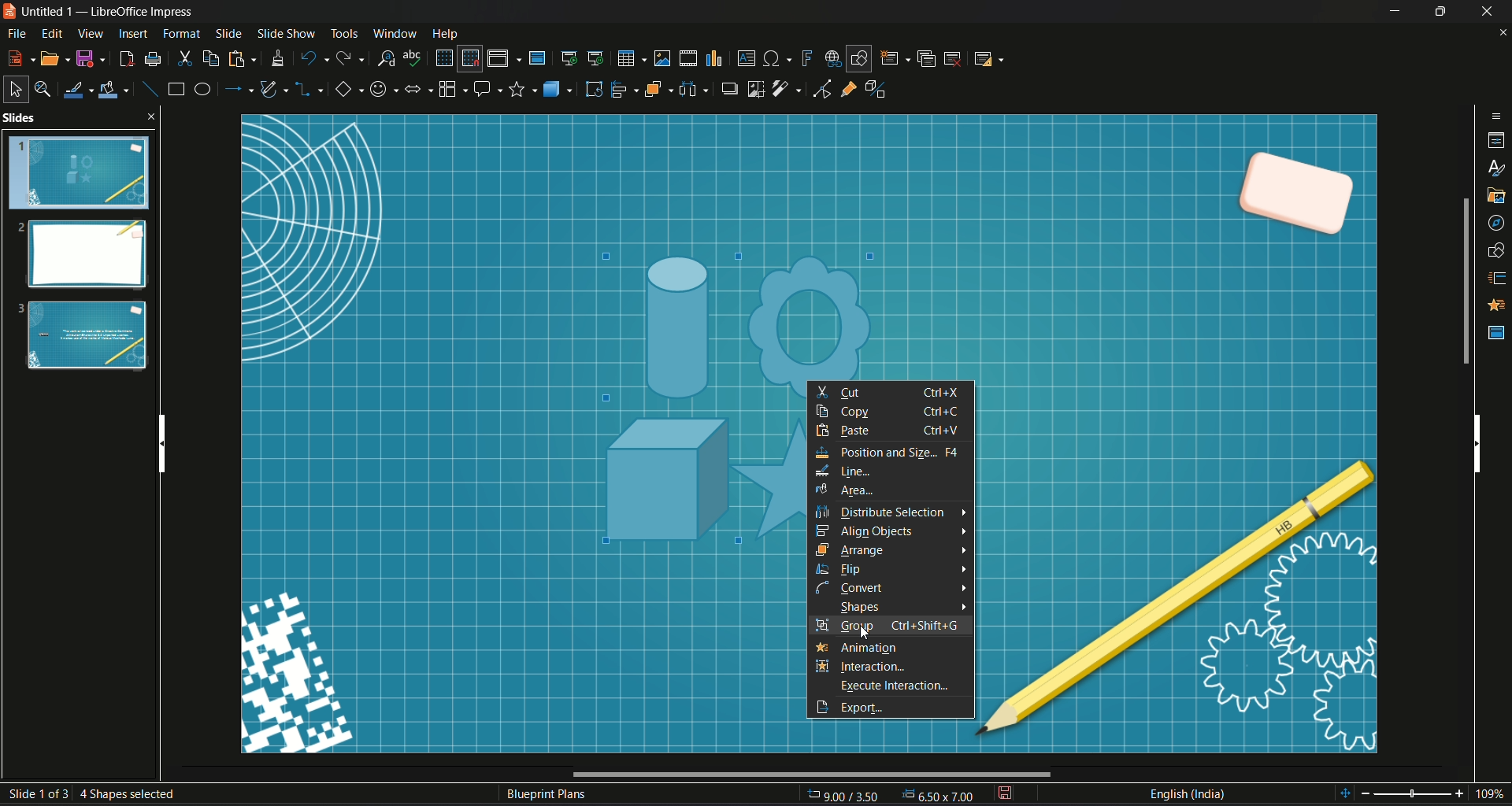 This screenshot has width=1512, height=806. I want to click on delete slide, so click(953, 58).